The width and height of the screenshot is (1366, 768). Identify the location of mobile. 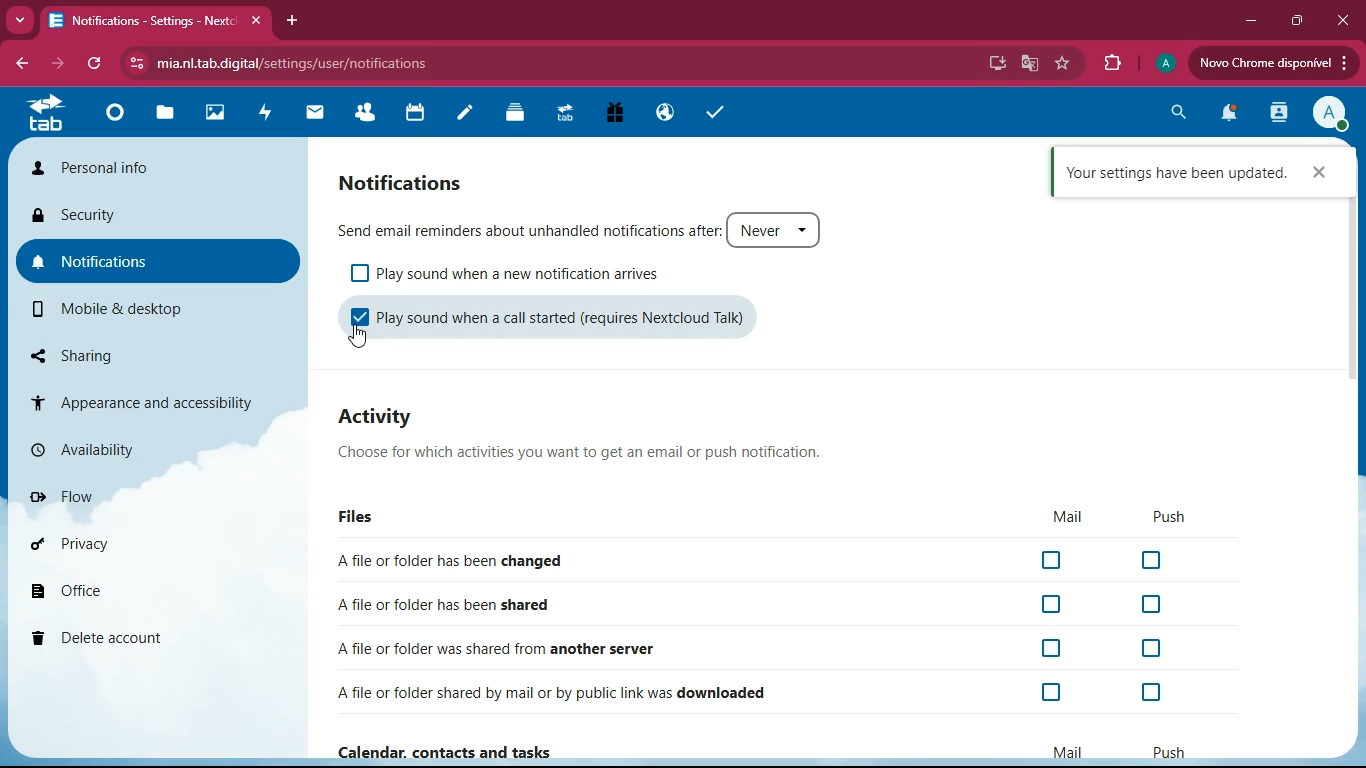
(108, 308).